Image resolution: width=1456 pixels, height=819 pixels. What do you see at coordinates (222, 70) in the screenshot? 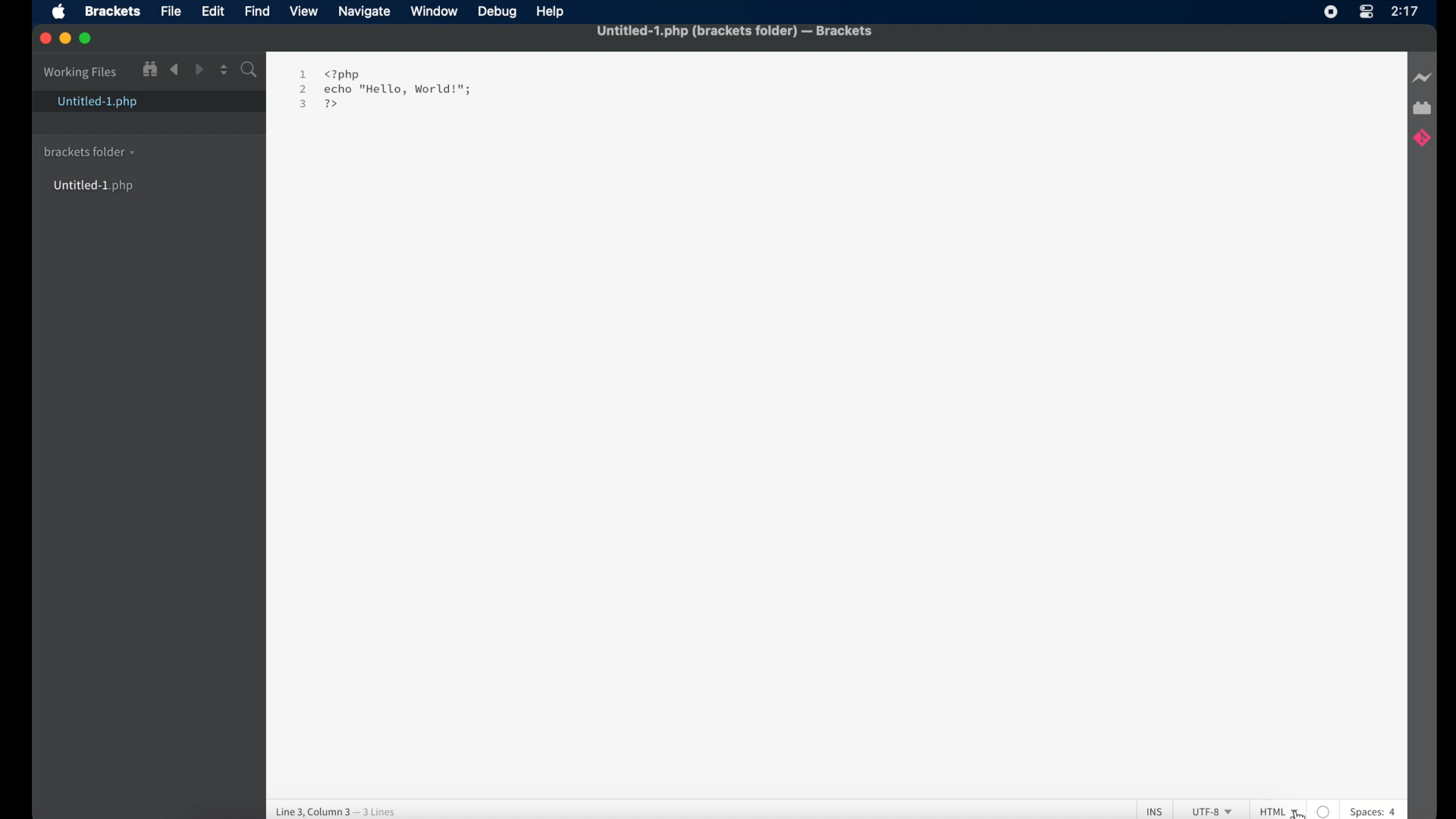
I see `split  editor vertical or horizontal` at bounding box center [222, 70].